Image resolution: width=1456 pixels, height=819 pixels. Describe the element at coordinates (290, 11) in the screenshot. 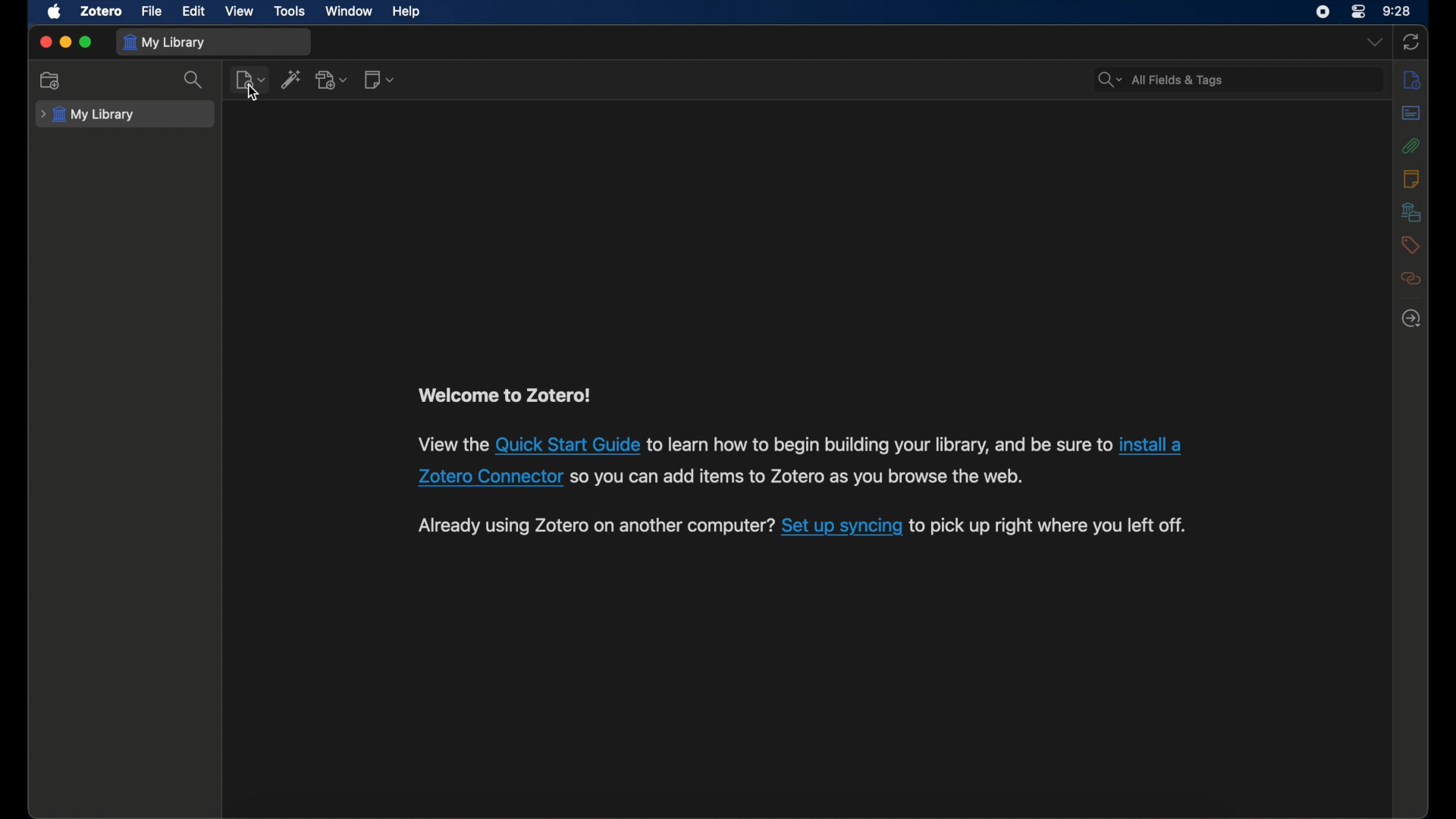

I see `tools` at that location.